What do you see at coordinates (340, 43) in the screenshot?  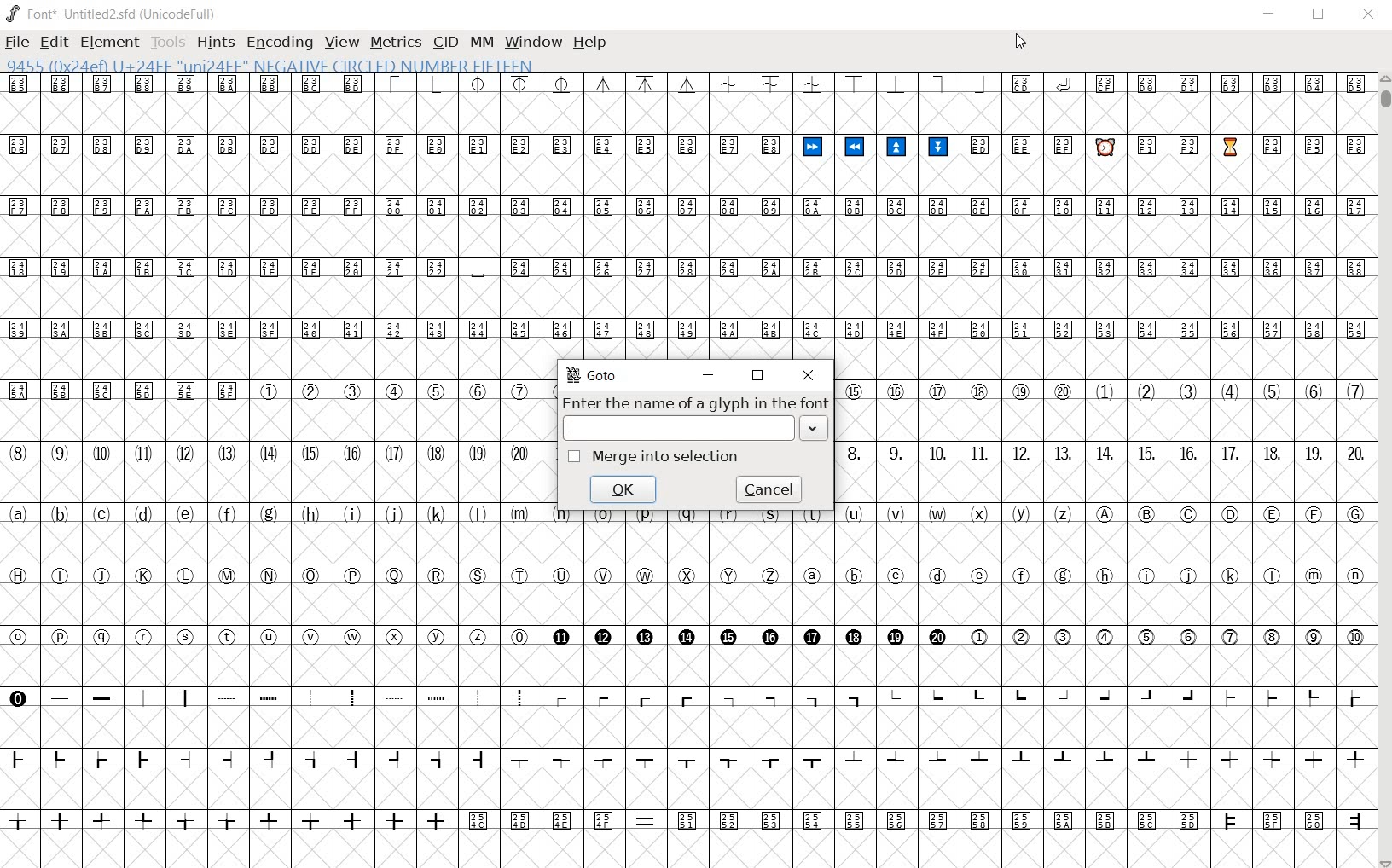 I see `VIEW` at bounding box center [340, 43].